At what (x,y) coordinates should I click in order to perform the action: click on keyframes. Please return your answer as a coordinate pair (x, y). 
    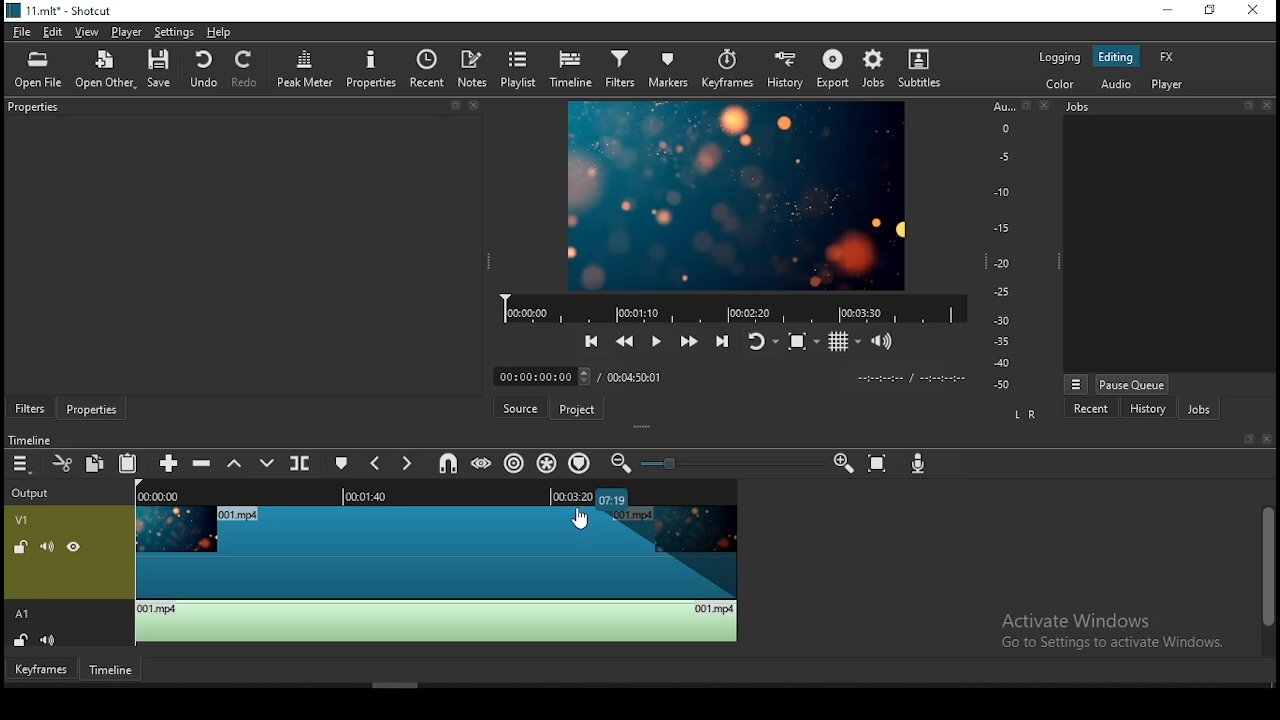
    Looking at the image, I should click on (42, 672).